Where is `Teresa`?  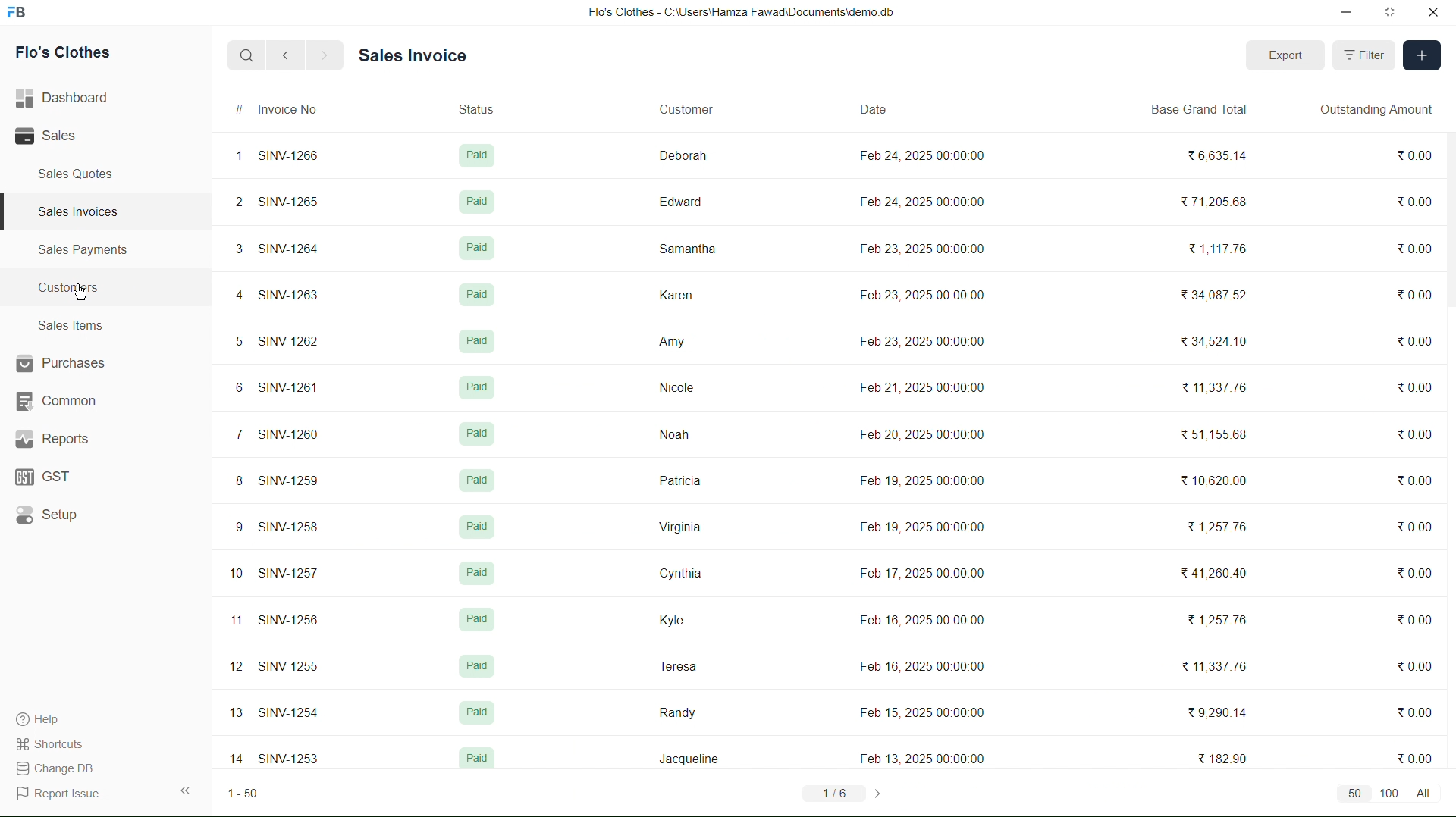
Teresa is located at coordinates (677, 665).